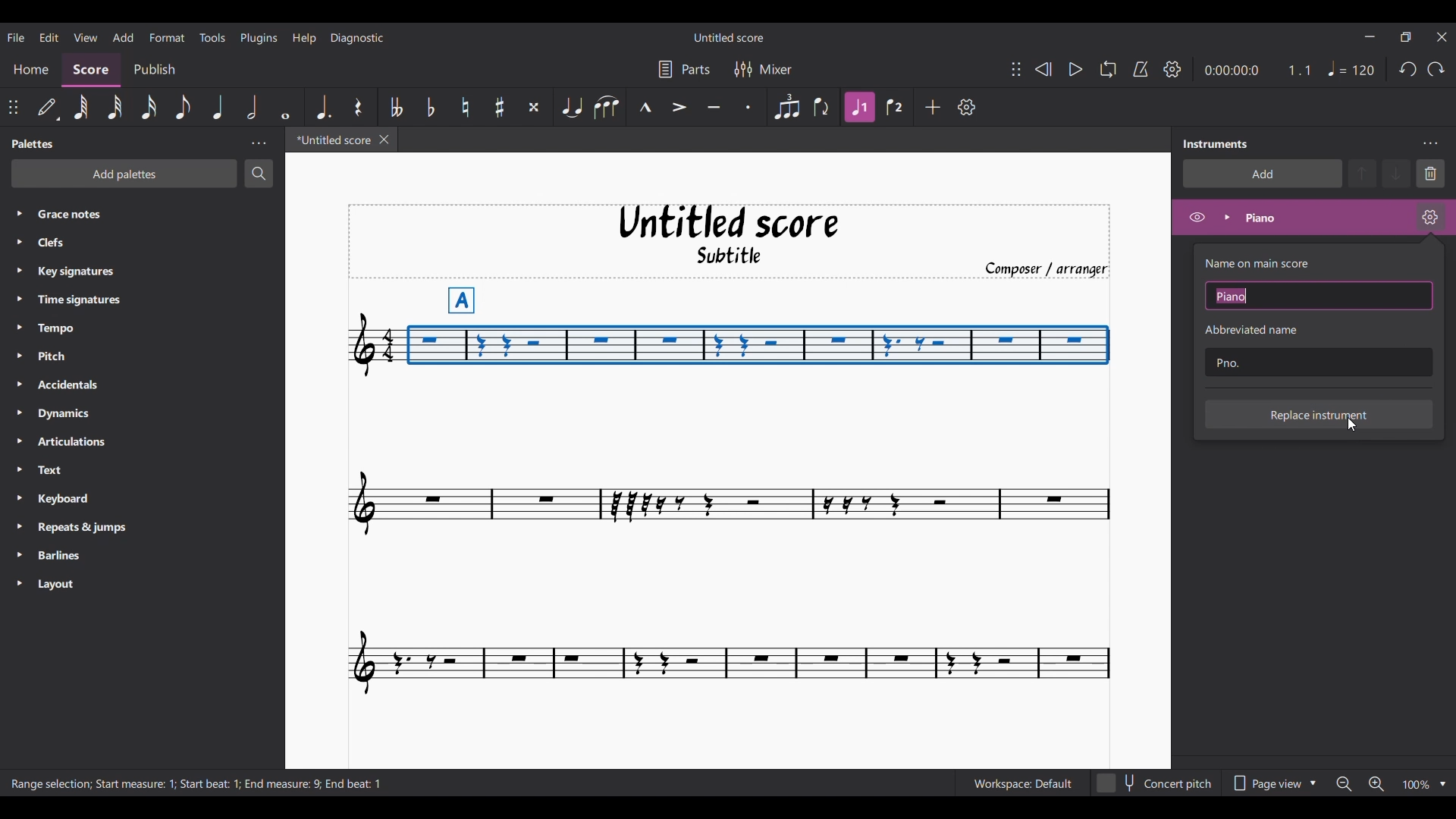 The image size is (1456, 819). Describe the element at coordinates (79, 585) in the screenshot. I see `Layout` at that location.